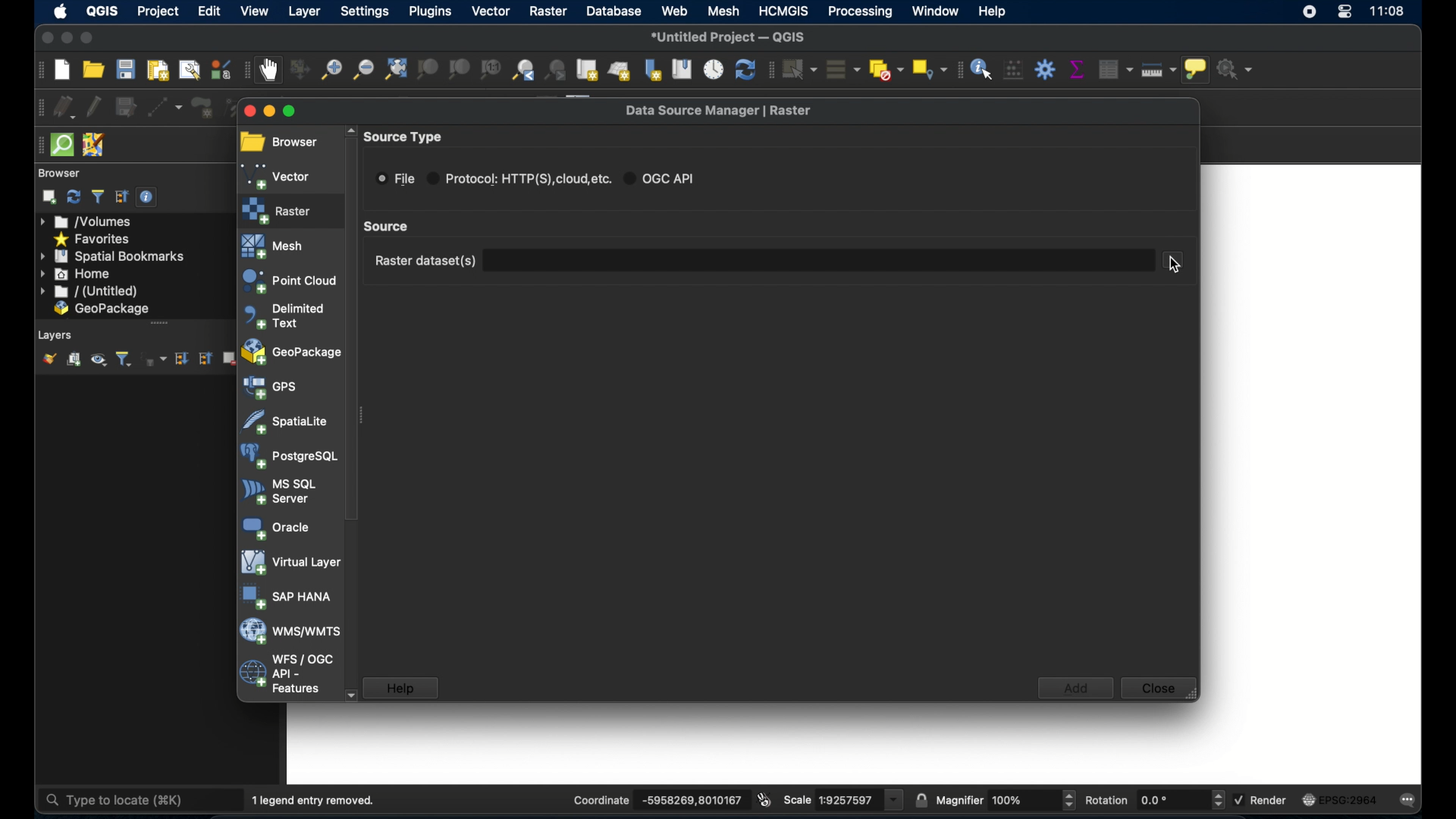 The width and height of the screenshot is (1456, 819). What do you see at coordinates (403, 688) in the screenshot?
I see `help` at bounding box center [403, 688].